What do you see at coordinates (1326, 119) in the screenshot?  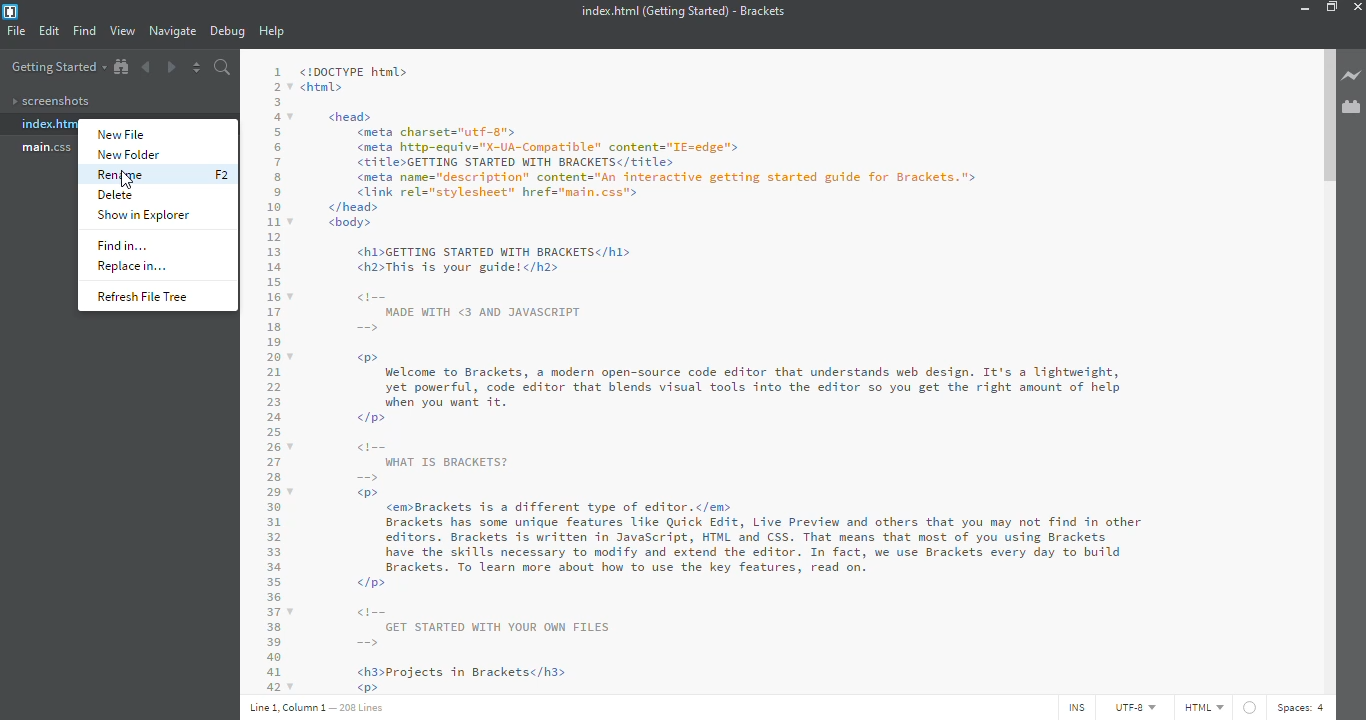 I see `scroll bar` at bounding box center [1326, 119].